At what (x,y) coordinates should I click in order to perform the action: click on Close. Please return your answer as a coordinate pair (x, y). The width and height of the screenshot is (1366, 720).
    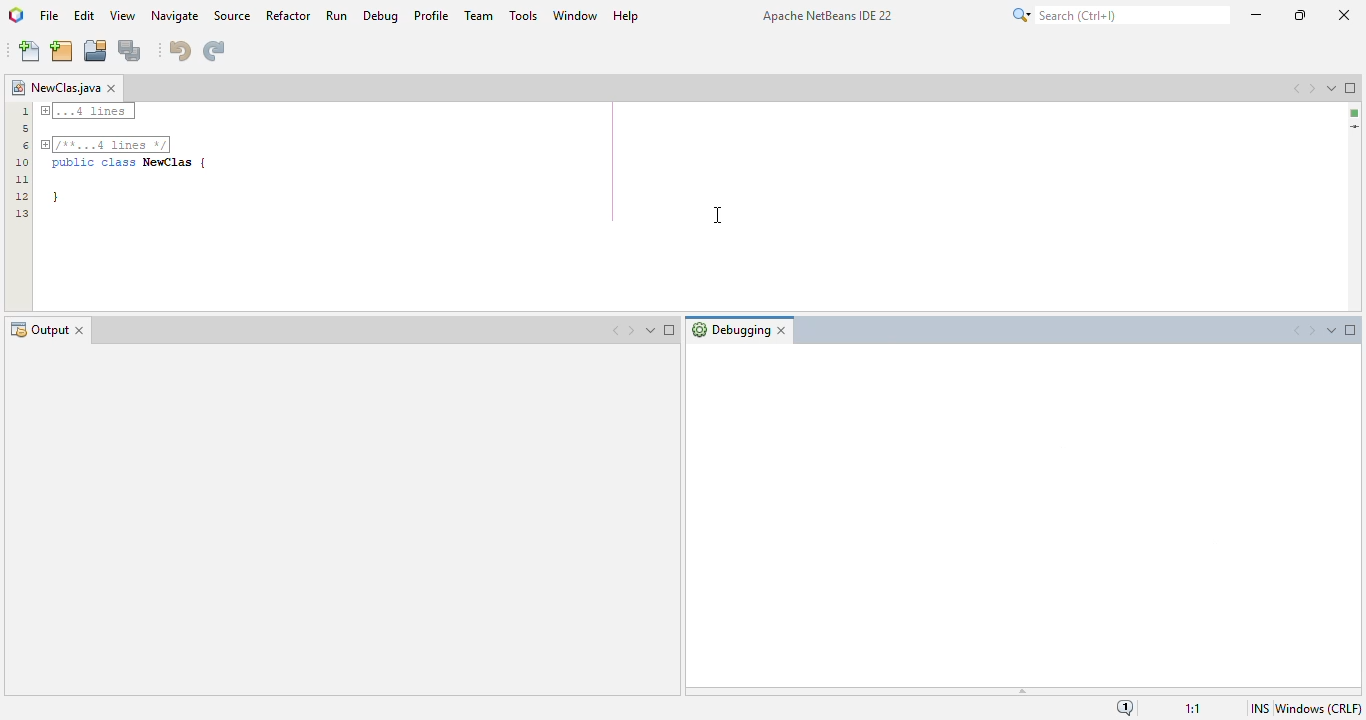
    Looking at the image, I should click on (786, 328).